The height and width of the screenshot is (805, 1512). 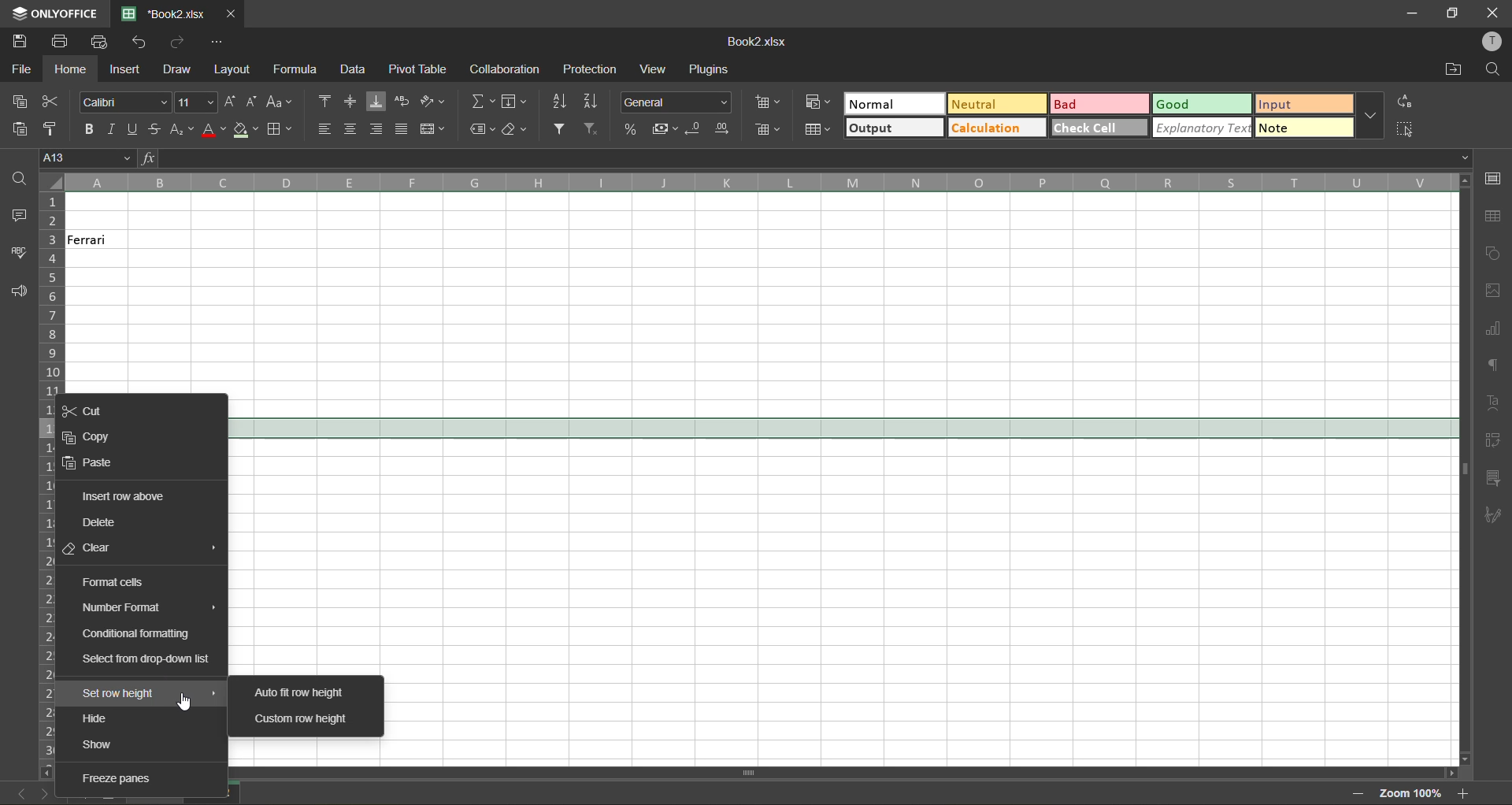 What do you see at coordinates (102, 43) in the screenshot?
I see `quick print` at bounding box center [102, 43].